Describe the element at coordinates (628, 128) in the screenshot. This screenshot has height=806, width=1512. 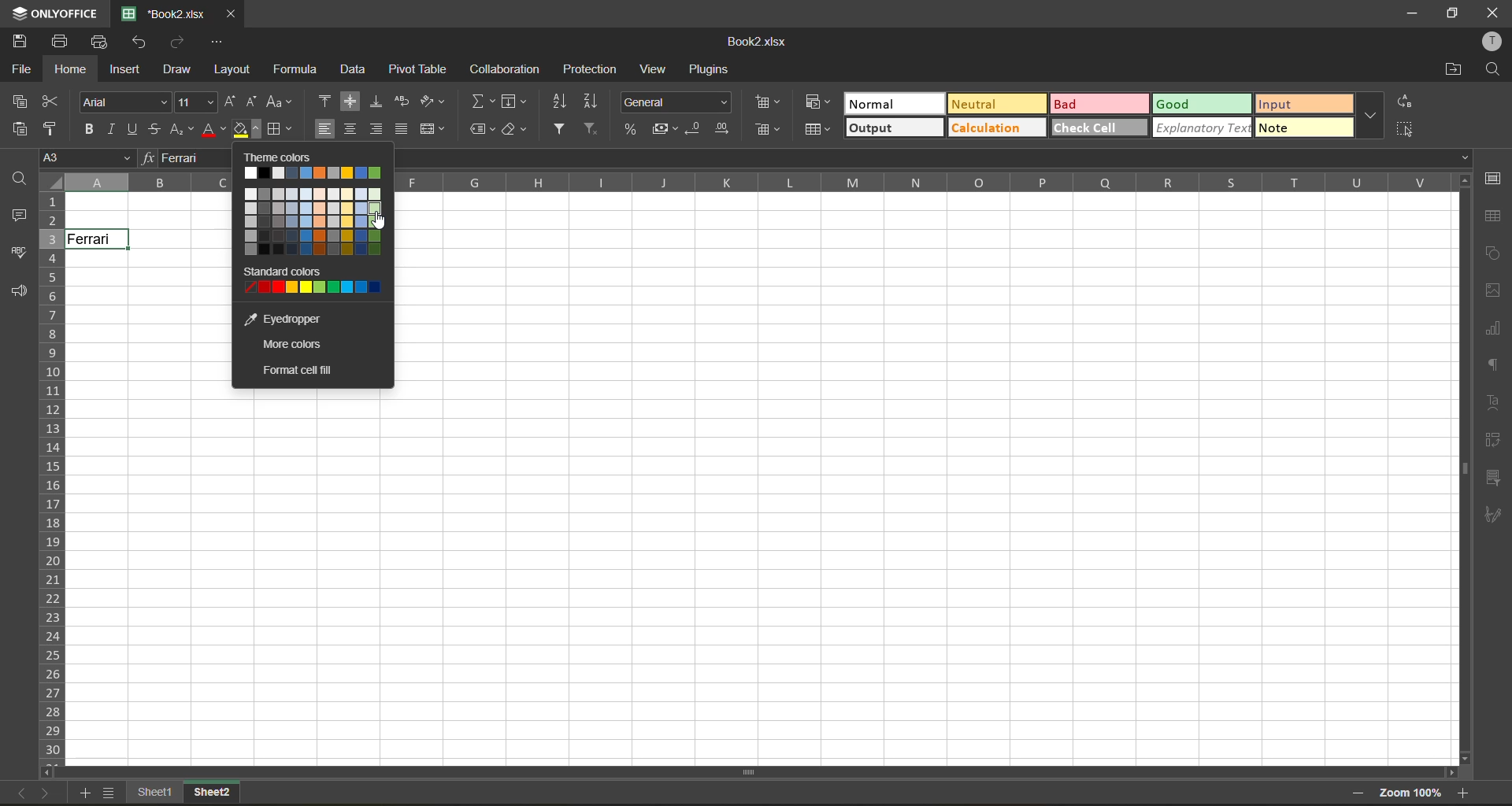
I see `percent` at that location.